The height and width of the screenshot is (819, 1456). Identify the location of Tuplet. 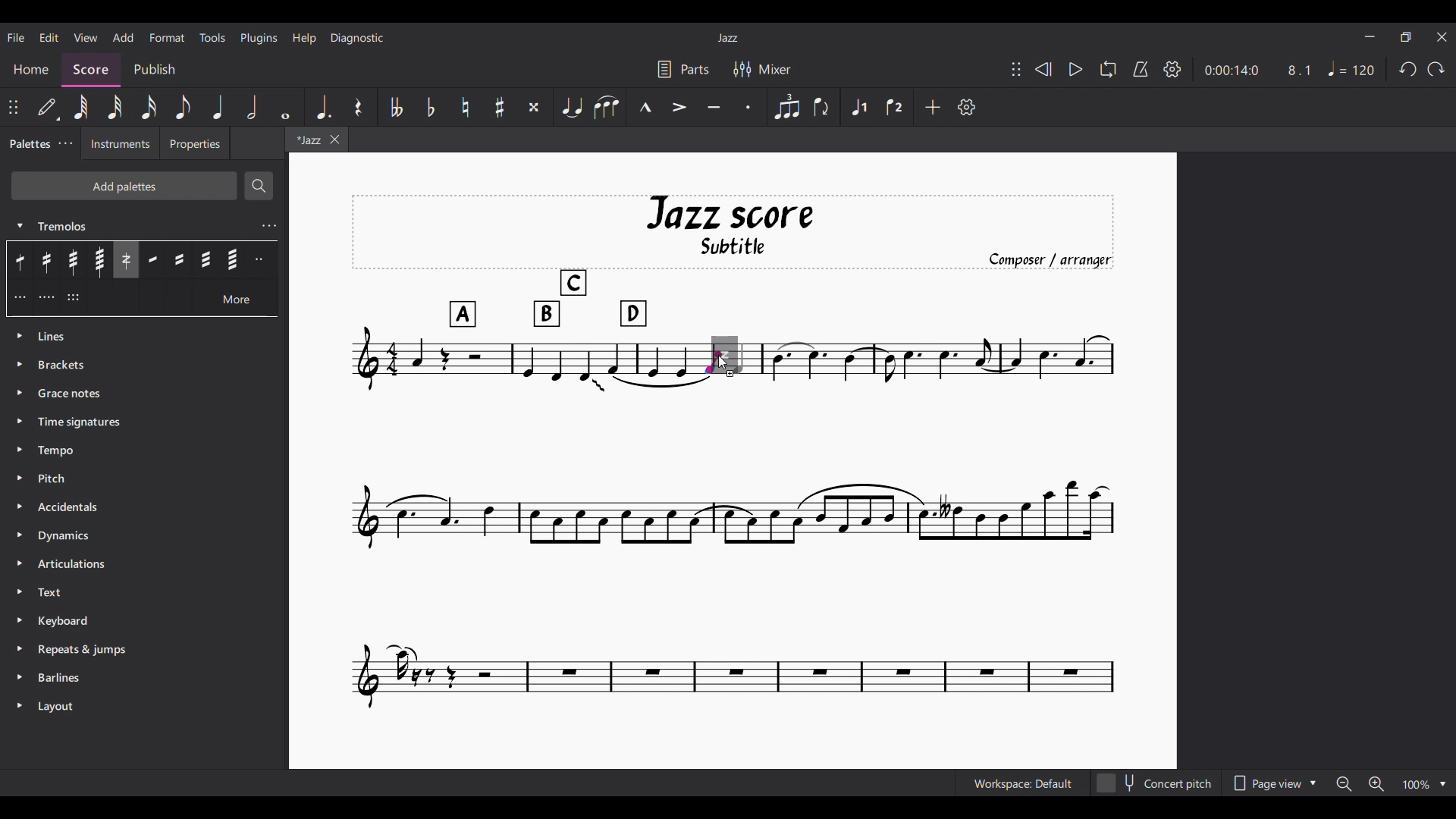
(787, 106).